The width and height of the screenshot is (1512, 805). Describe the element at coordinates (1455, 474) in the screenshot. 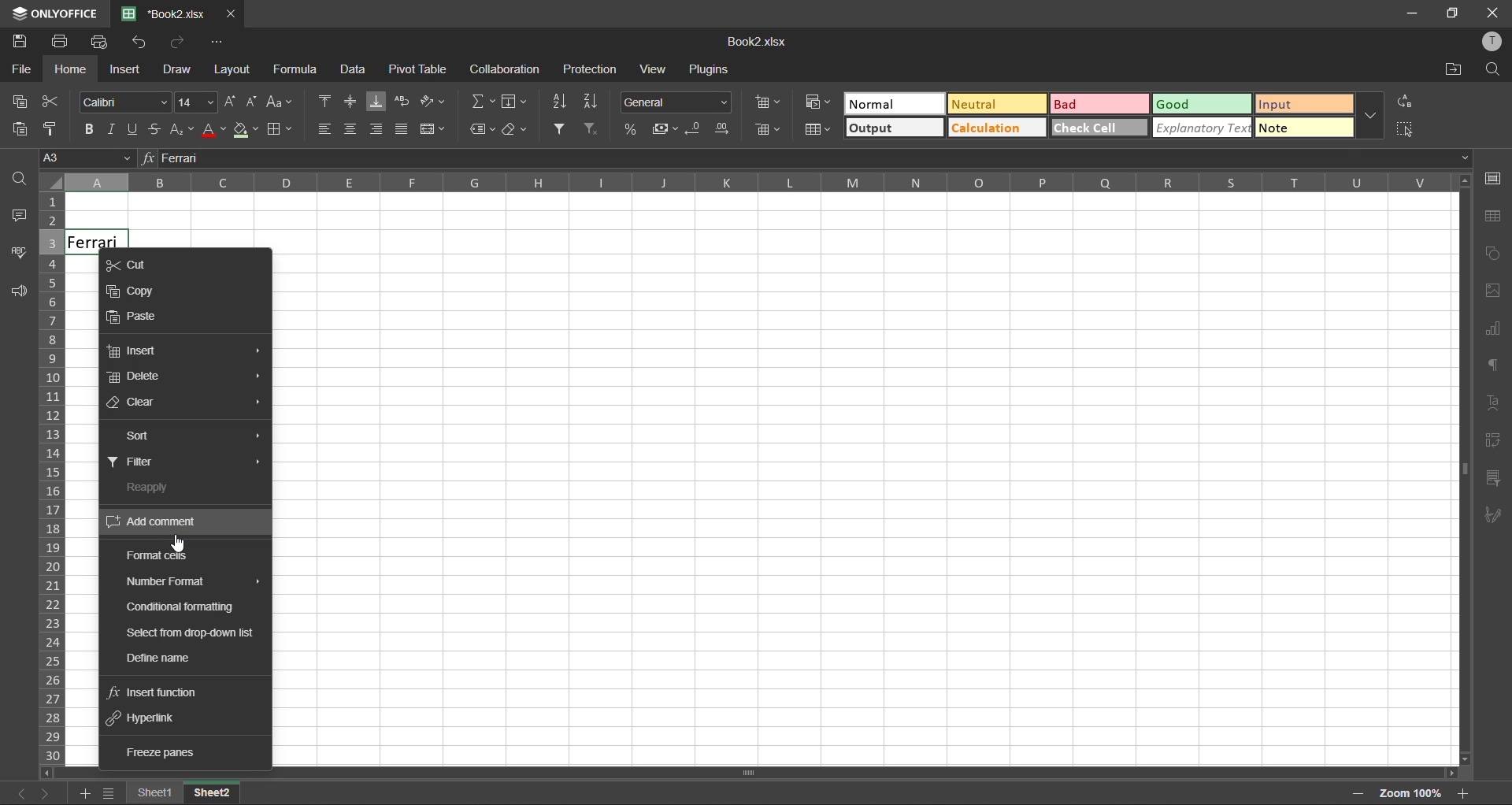

I see `Horizontal Scrollbar` at that location.